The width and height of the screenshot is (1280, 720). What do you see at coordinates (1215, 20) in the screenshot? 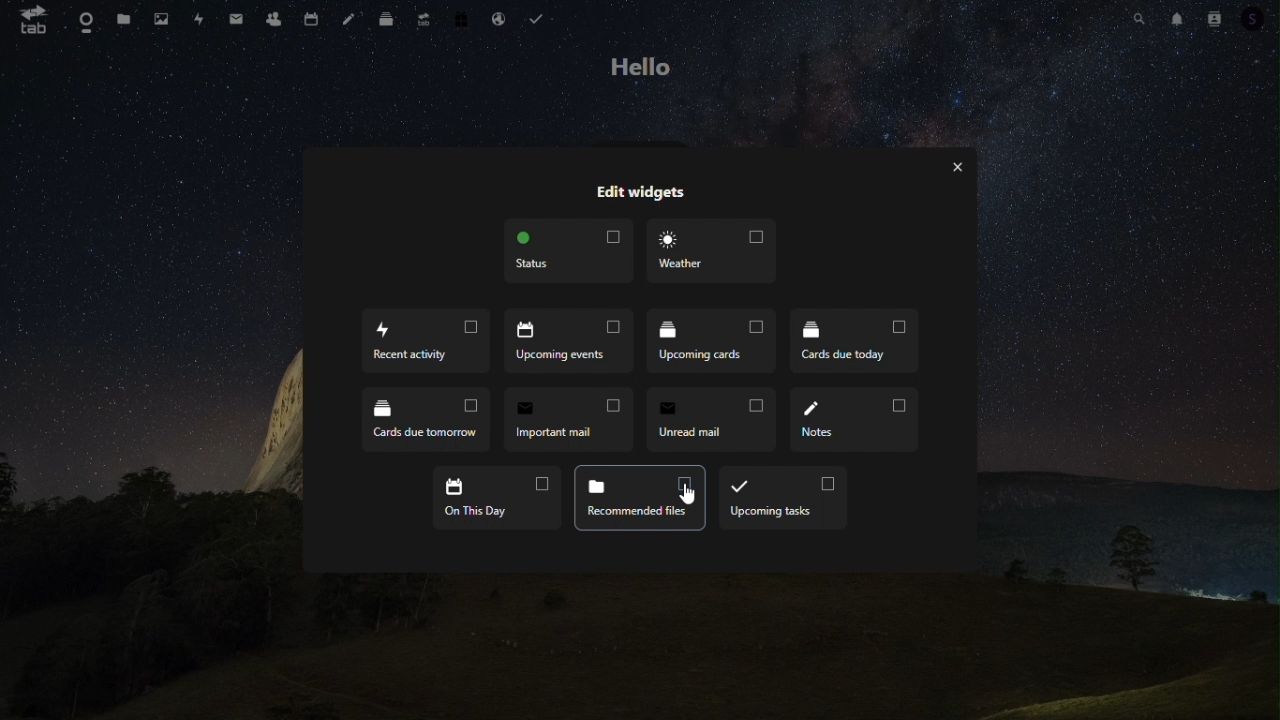
I see `Account icon` at bounding box center [1215, 20].